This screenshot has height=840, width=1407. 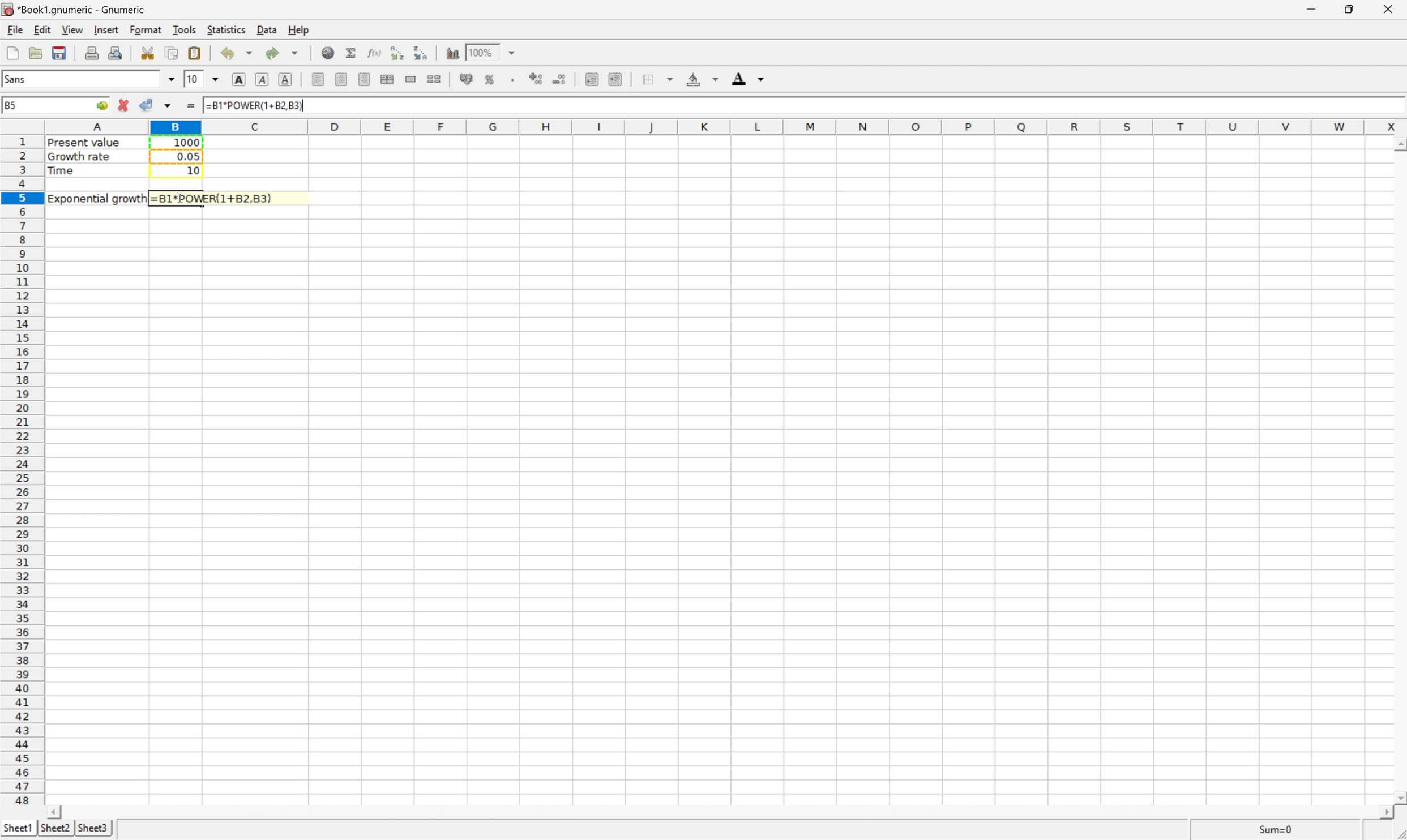 What do you see at coordinates (214, 198) in the screenshot?
I see `=B1*POWER(1+B2,B3)` at bounding box center [214, 198].